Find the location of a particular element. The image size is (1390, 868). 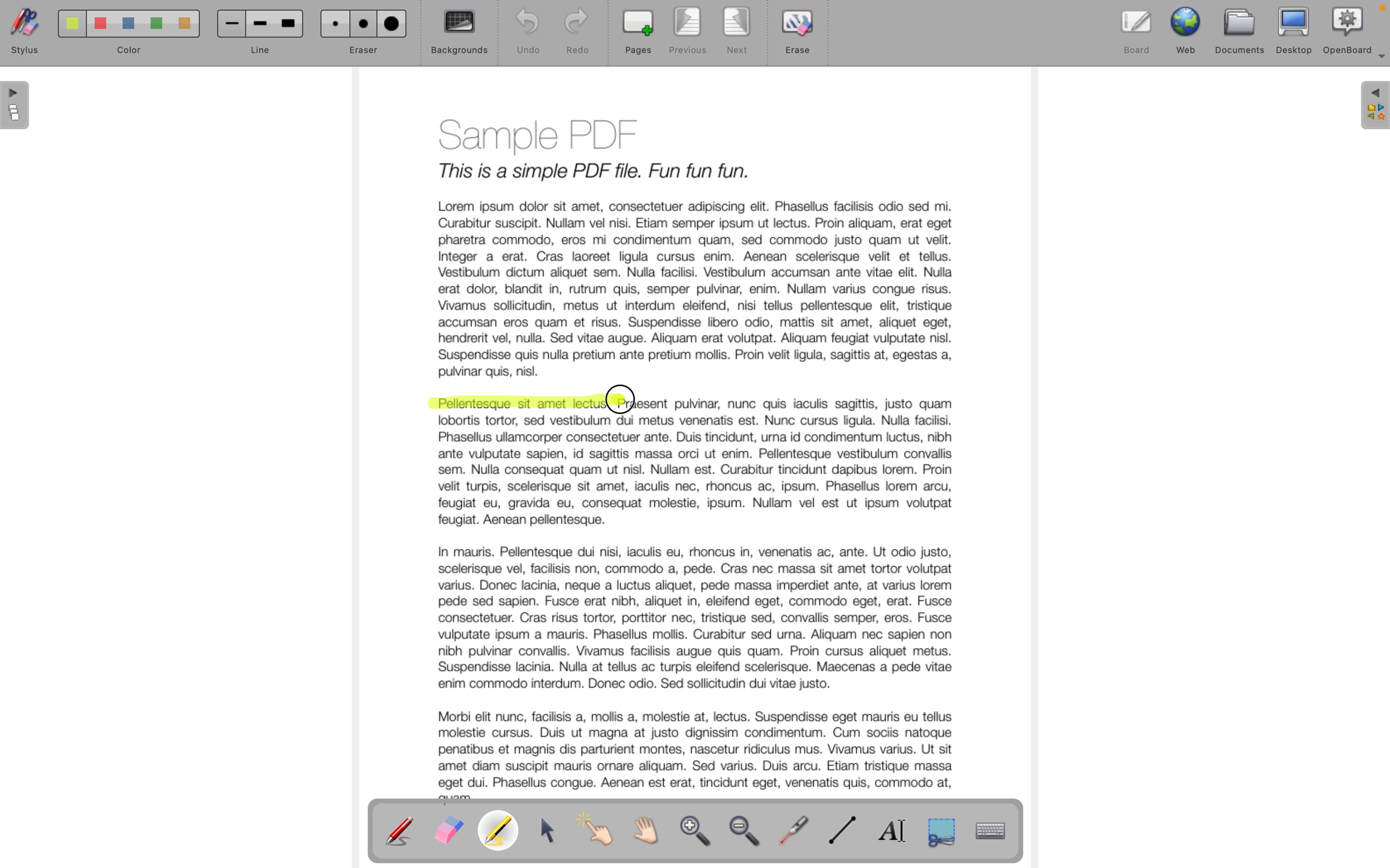

undo is located at coordinates (522, 32).